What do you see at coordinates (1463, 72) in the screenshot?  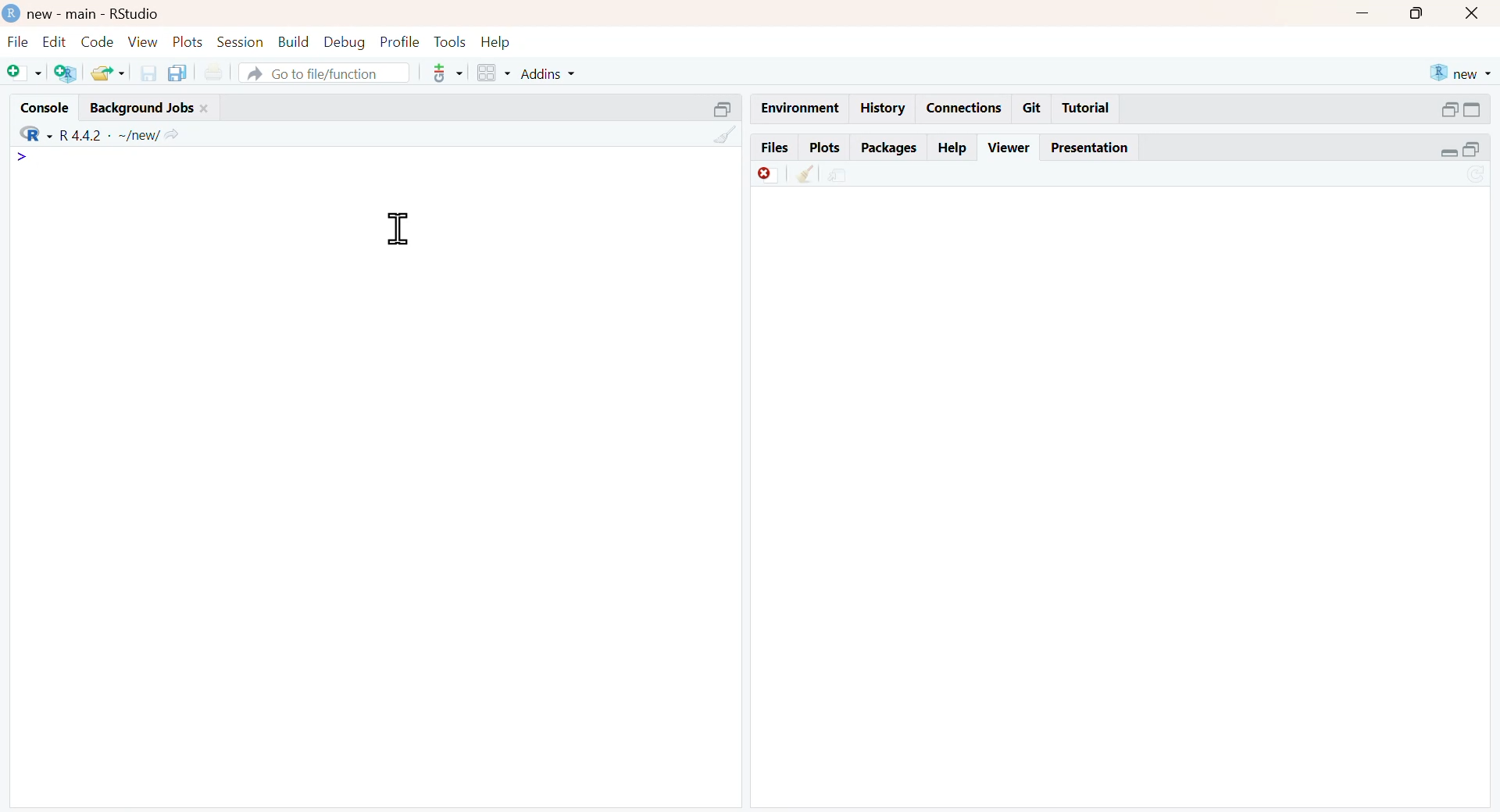 I see `® new +` at bounding box center [1463, 72].